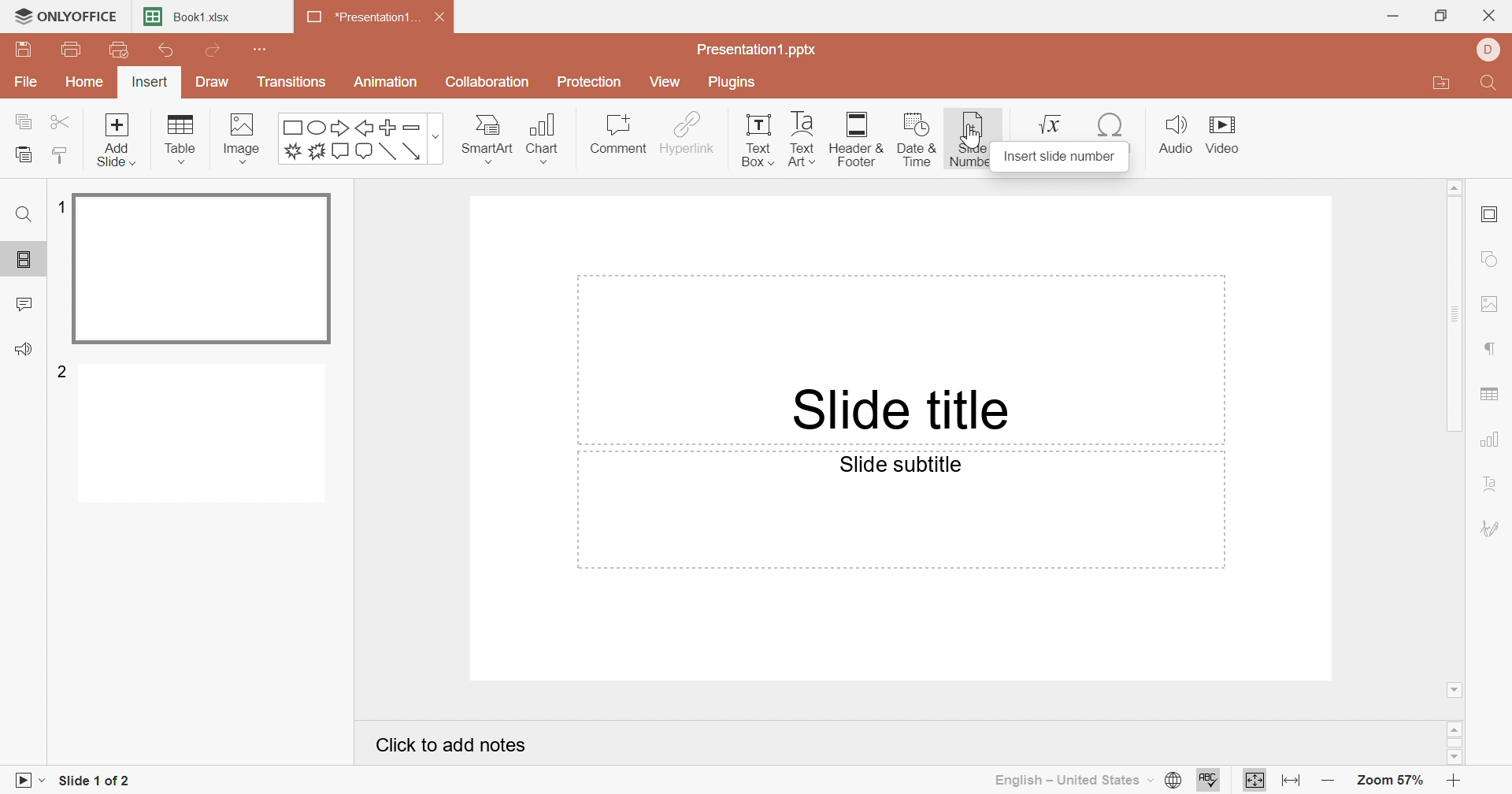  What do you see at coordinates (753, 139) in the screenshot?
I see `Text Box` at bounding box center [753, 139].